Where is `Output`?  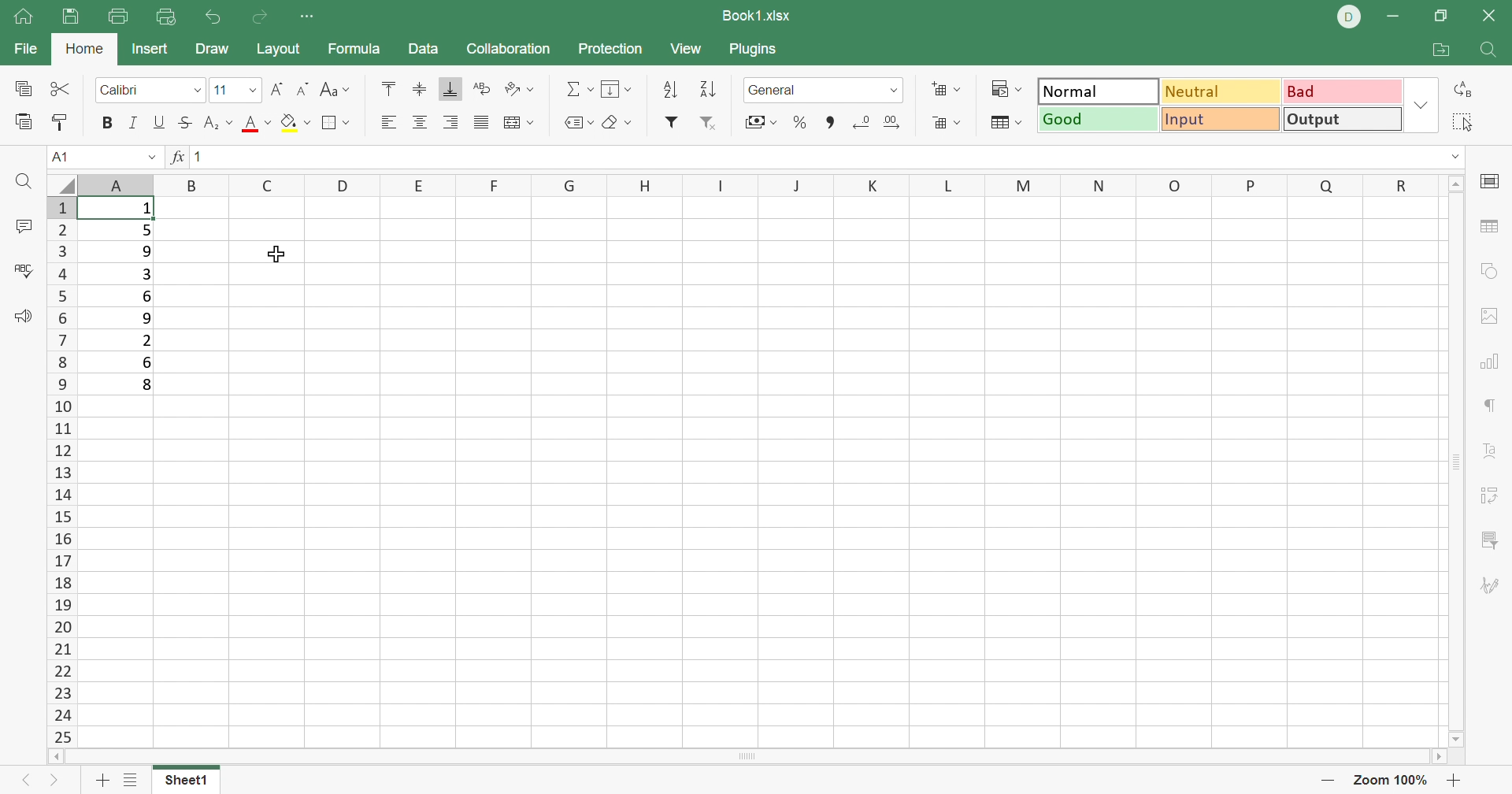
Output is located at coordinates (1339, 118).